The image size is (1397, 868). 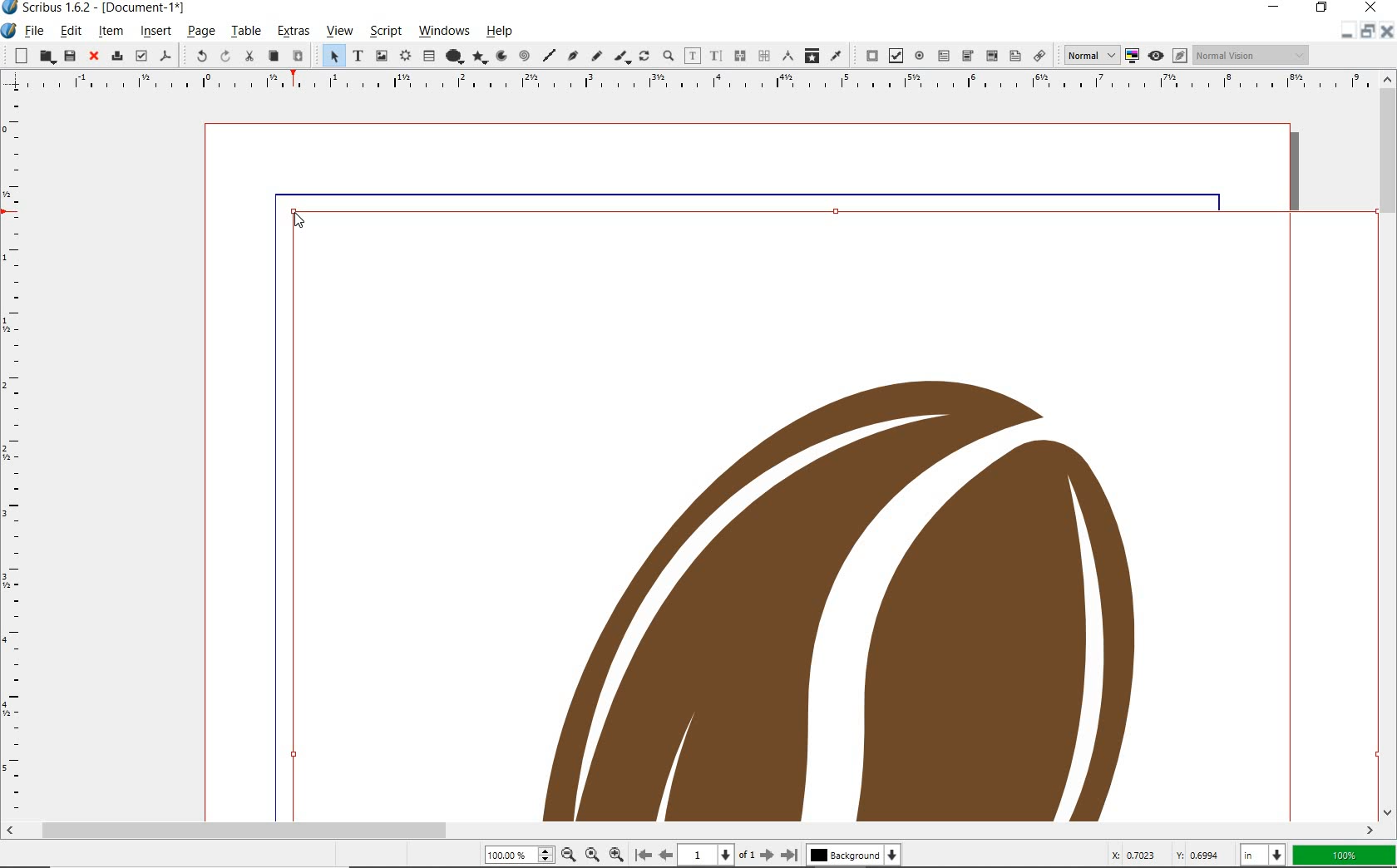 What do you see at coordinates (526, 56) in the screenshot?
I see `spiral` at bounding box center [526, 56].